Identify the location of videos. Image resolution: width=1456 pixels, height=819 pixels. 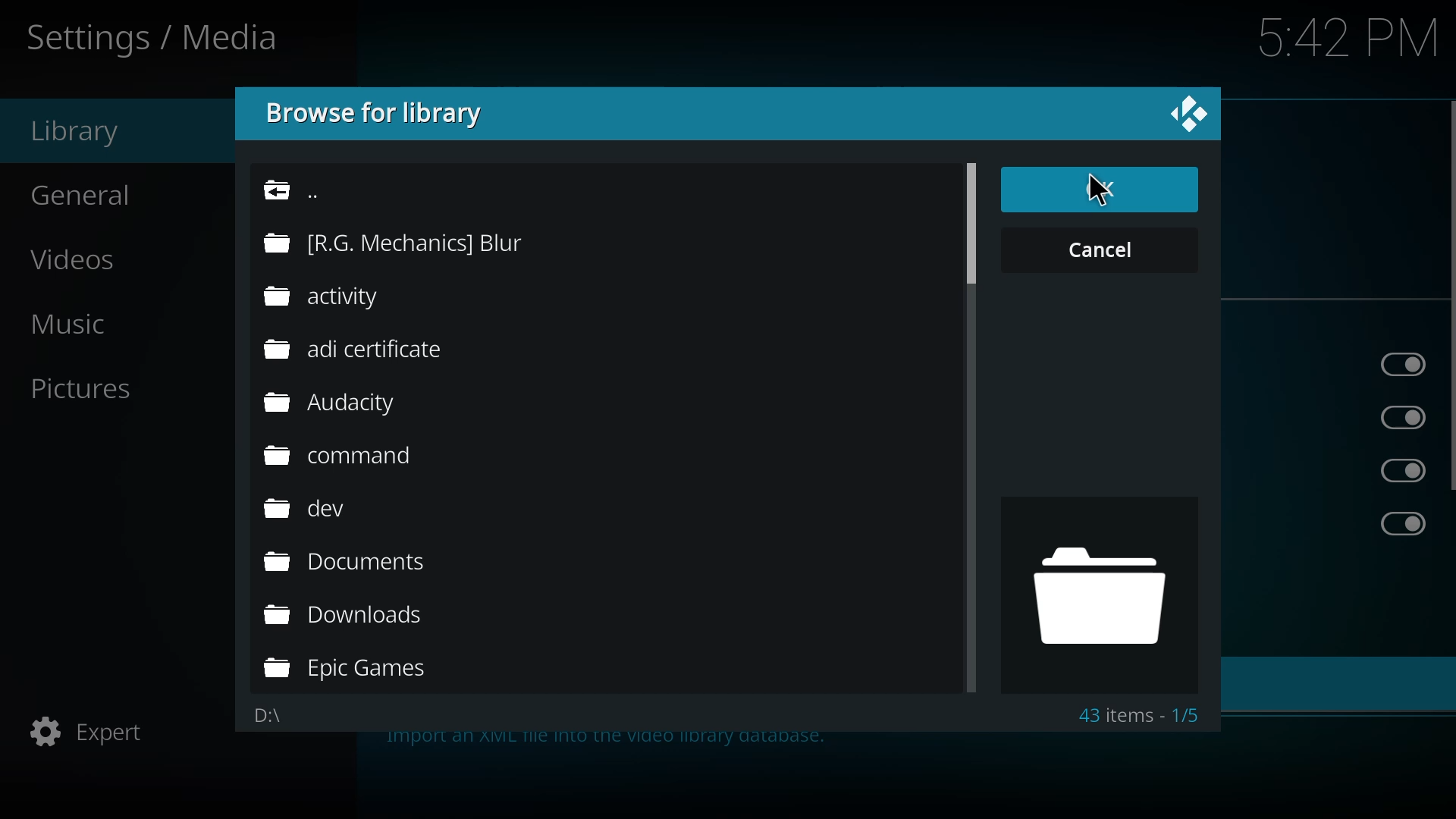
(86, 259).